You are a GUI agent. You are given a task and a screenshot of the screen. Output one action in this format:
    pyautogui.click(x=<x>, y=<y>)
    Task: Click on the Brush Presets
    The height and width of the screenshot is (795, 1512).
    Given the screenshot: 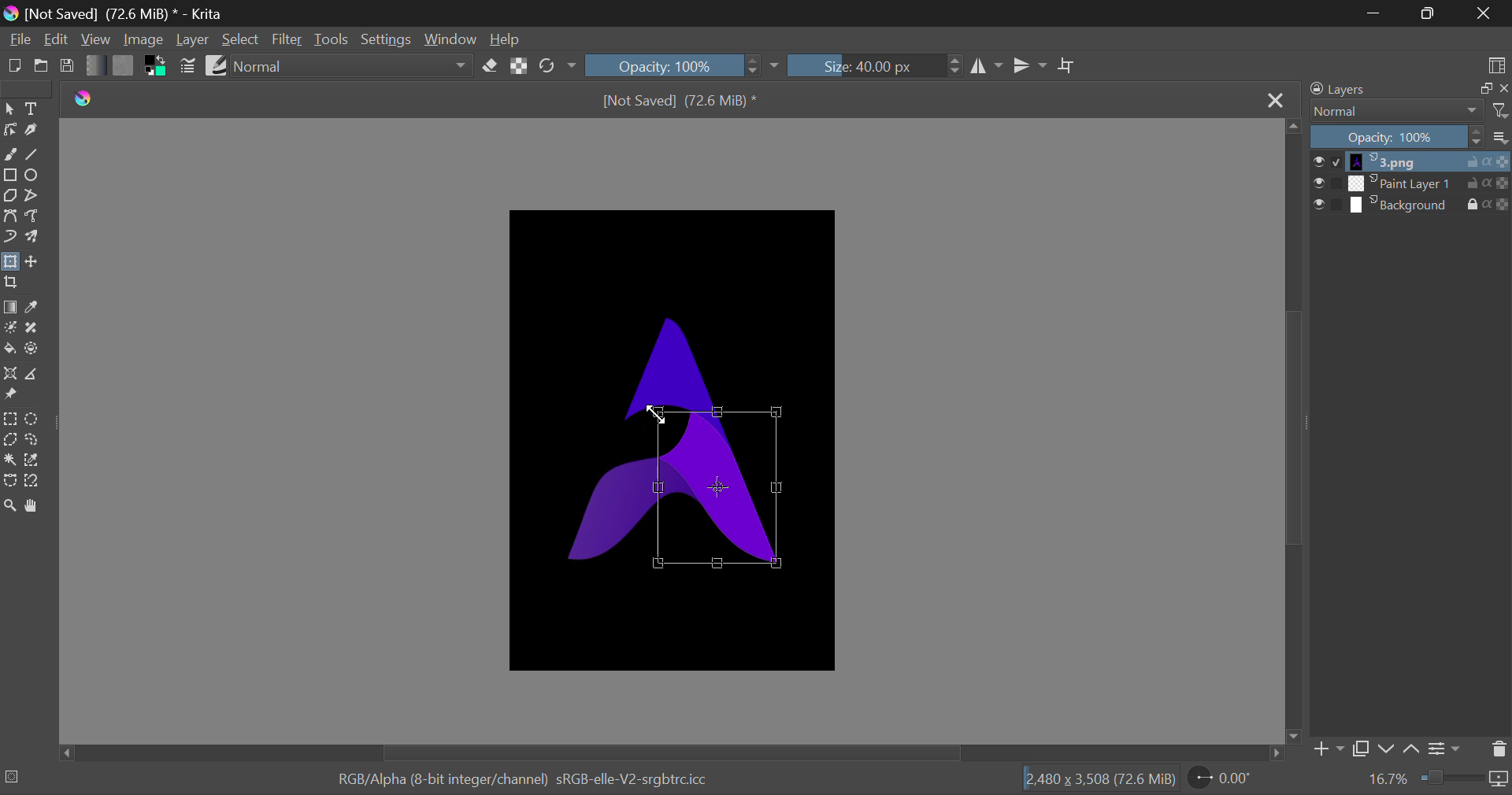 What is the action you would take?
    pyautogui.click(x=216, y=65)
    